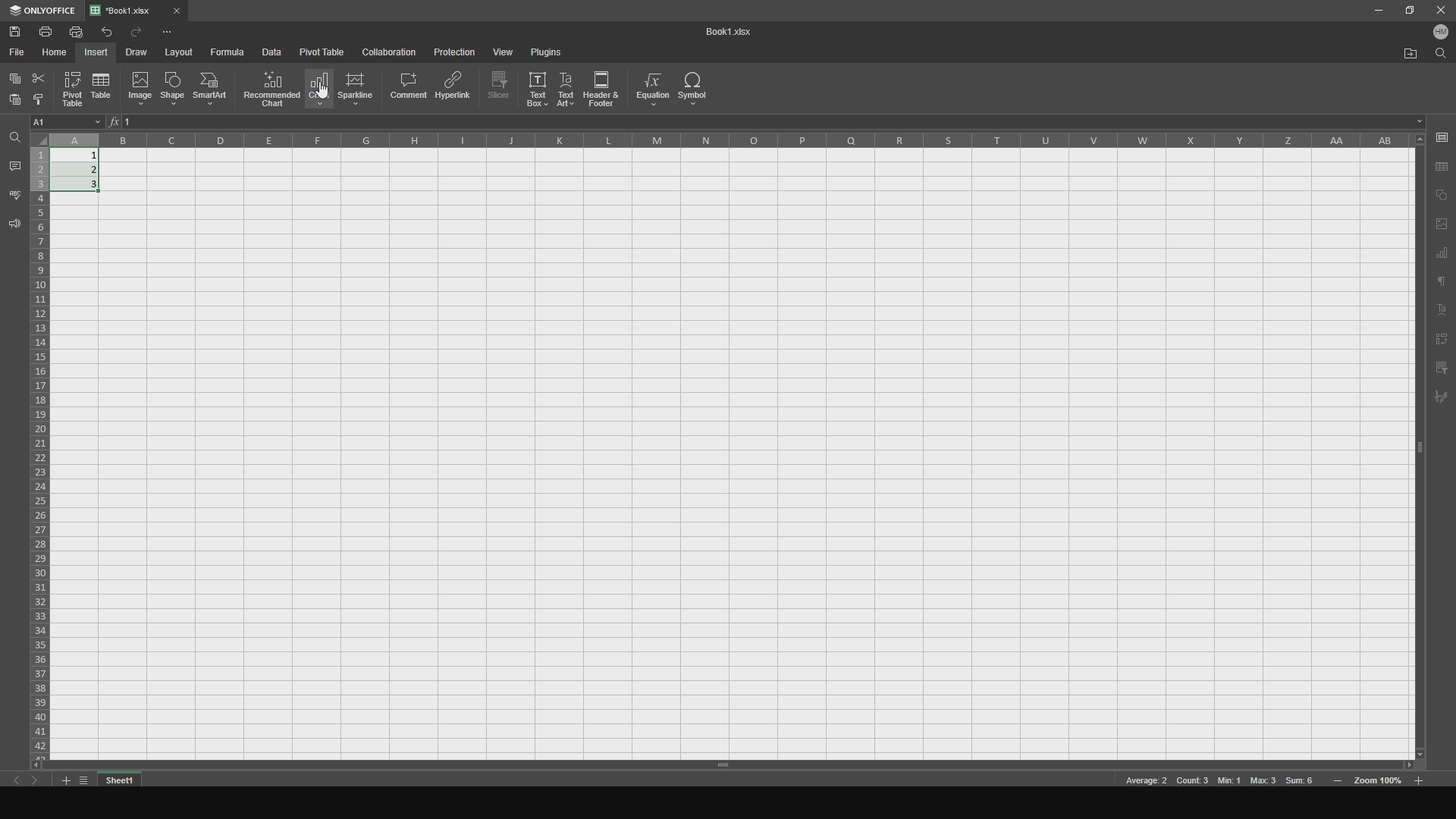  Describe the element at coordinates (1442, 166) in the screenshot. I see `aave as` at that location.